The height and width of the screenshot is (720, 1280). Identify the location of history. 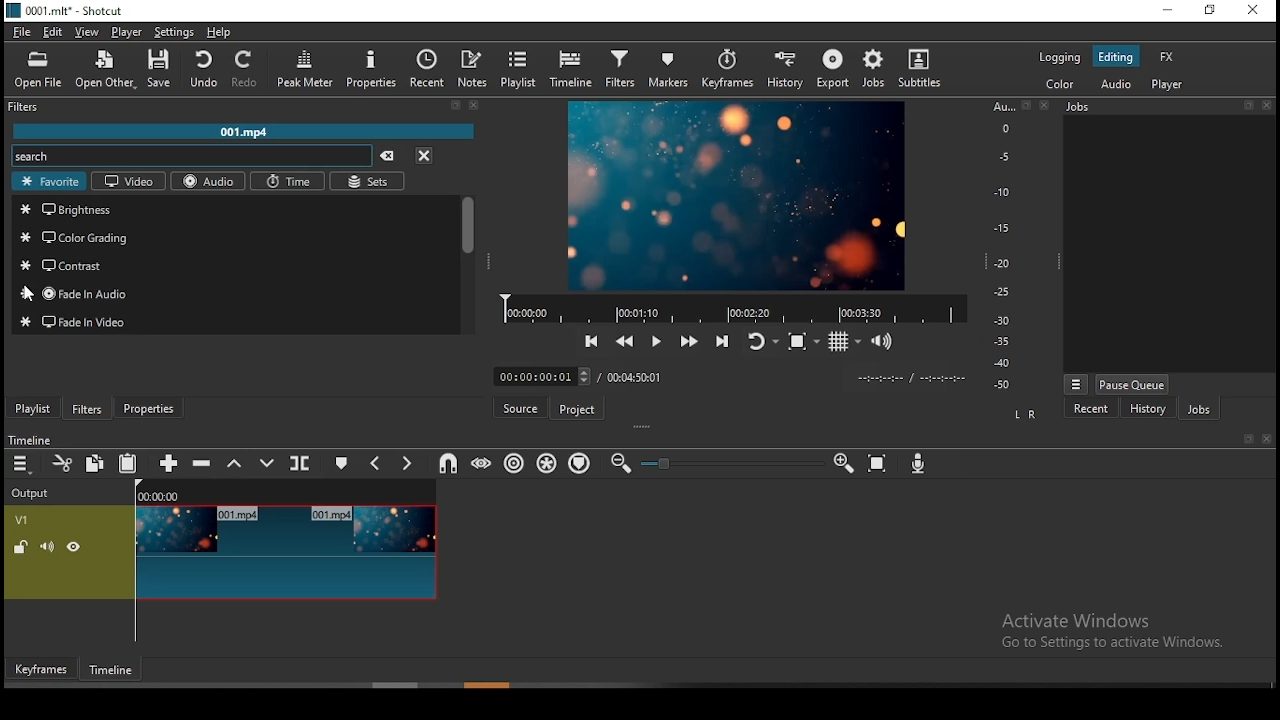
(1150, 408).